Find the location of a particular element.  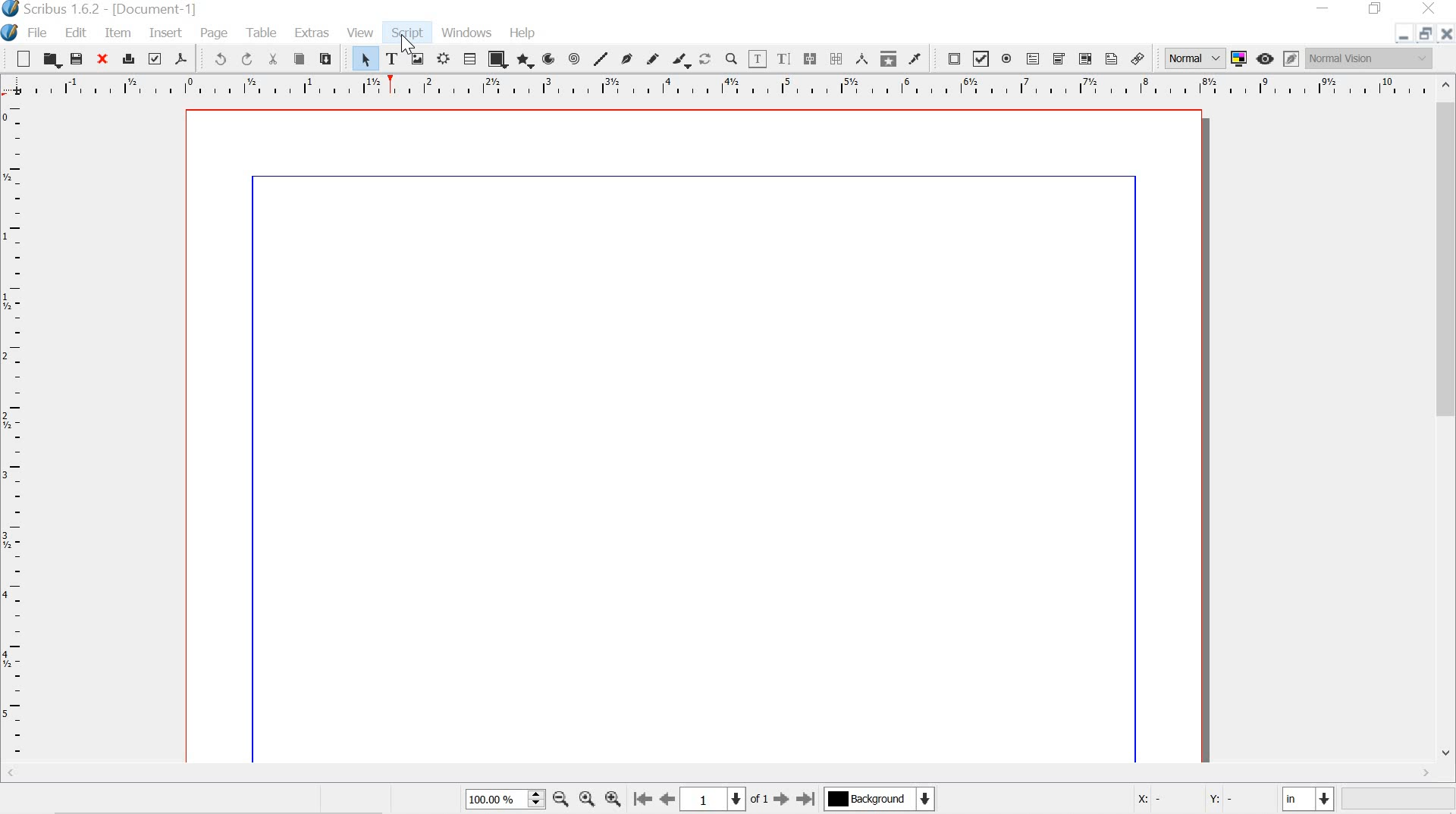

restore down is located at coordinates (1377, 9).